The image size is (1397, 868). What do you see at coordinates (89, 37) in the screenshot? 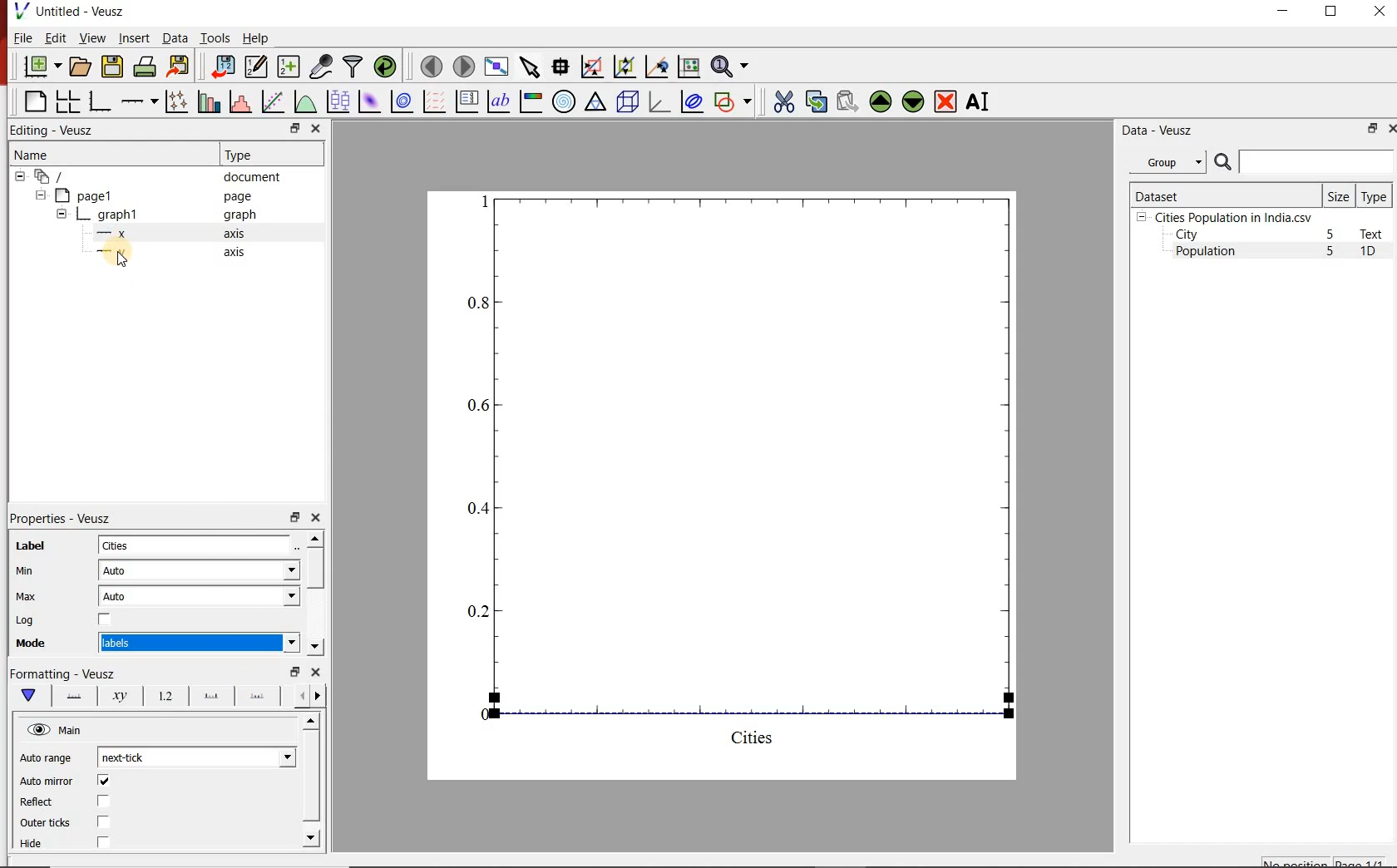
I see `View` at bounding box center [89, 37].